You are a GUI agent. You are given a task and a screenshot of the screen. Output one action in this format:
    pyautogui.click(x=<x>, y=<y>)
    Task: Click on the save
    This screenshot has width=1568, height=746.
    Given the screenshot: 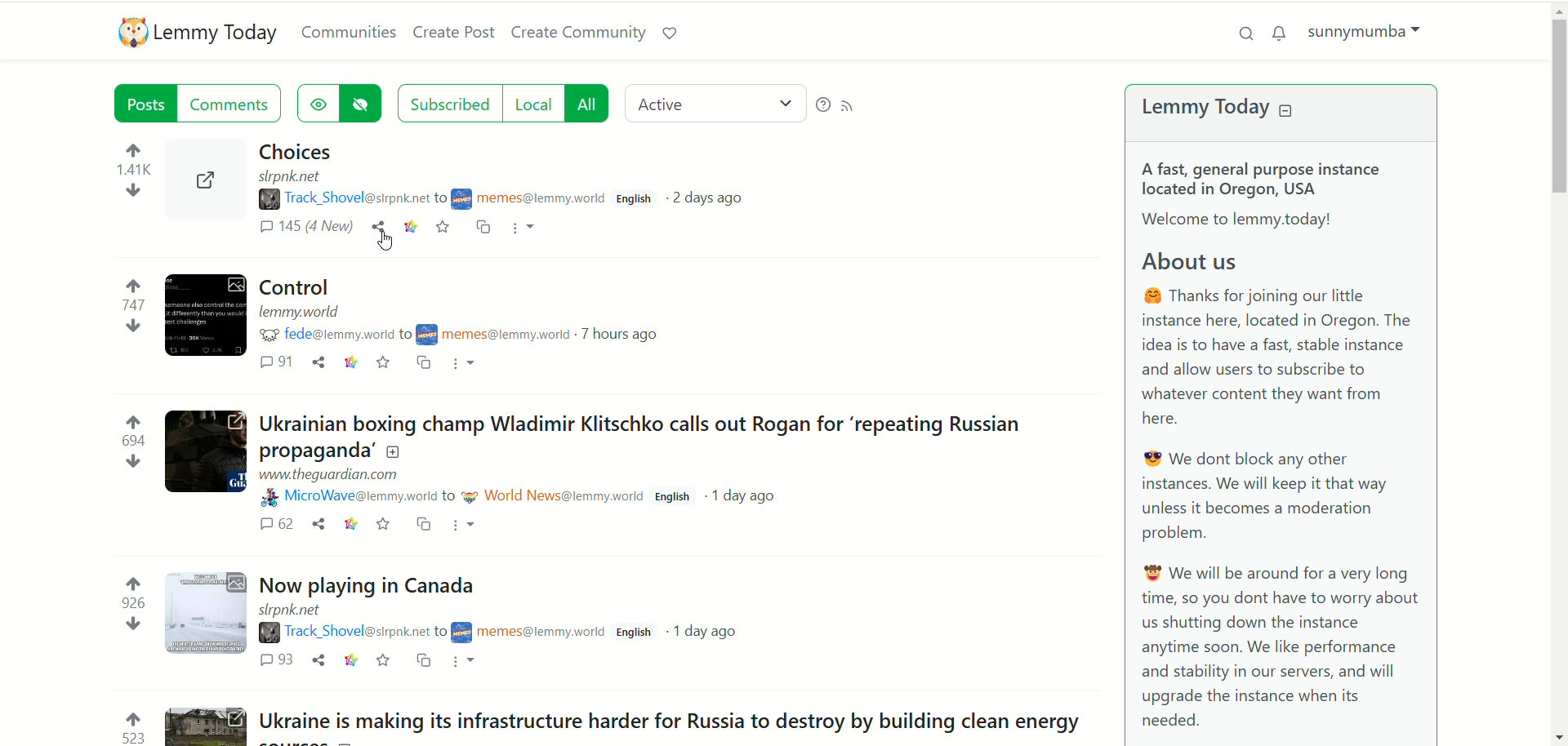 What is the action you would take?
    pyautogui.click(x=381, y=659)
    